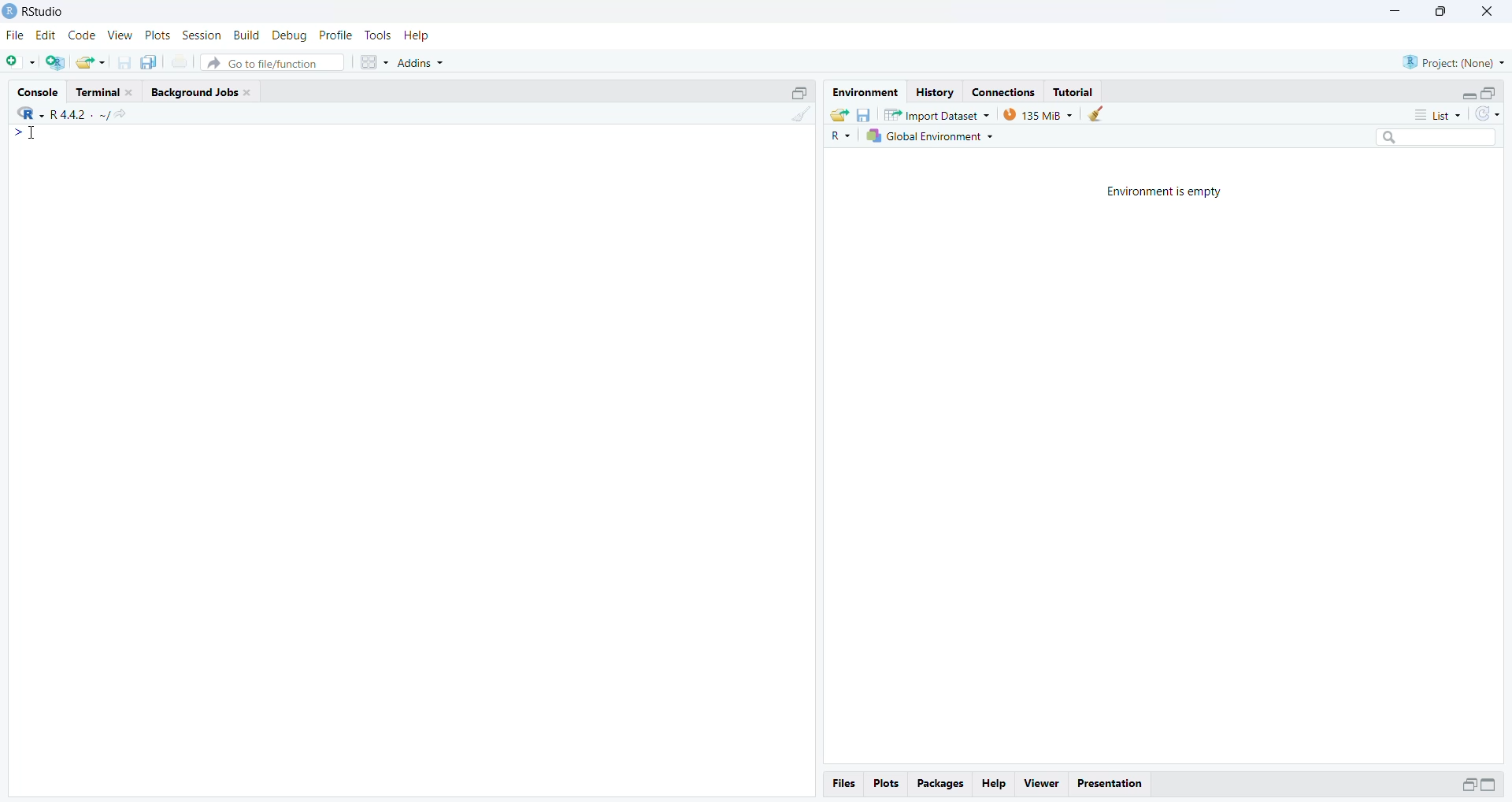 The height and width of the screenshot is (802, 1512). I want to click on Plots, so click(157, 36).